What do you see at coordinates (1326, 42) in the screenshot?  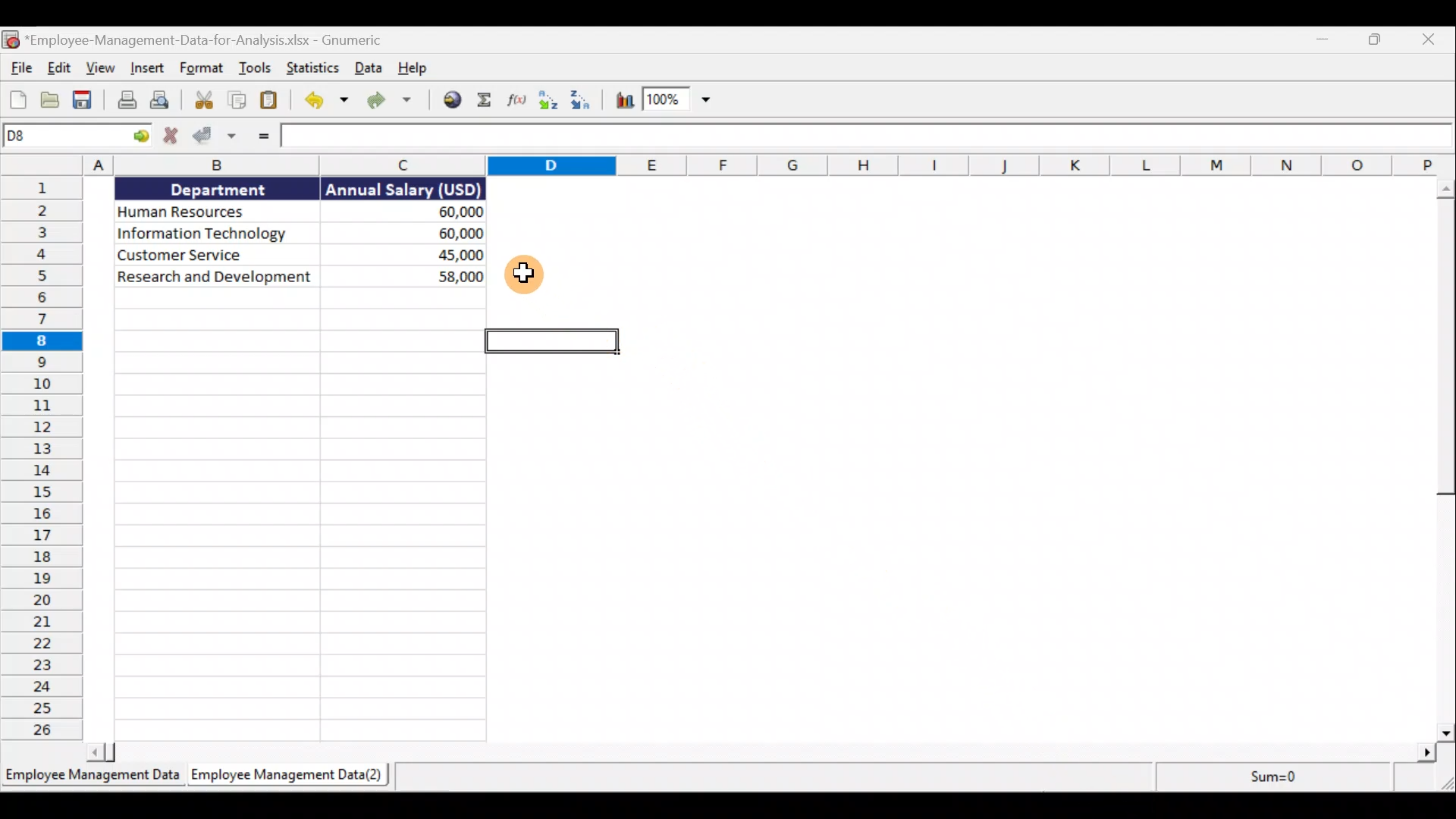 I see `Minimise` at bounding box center [1326, 42].